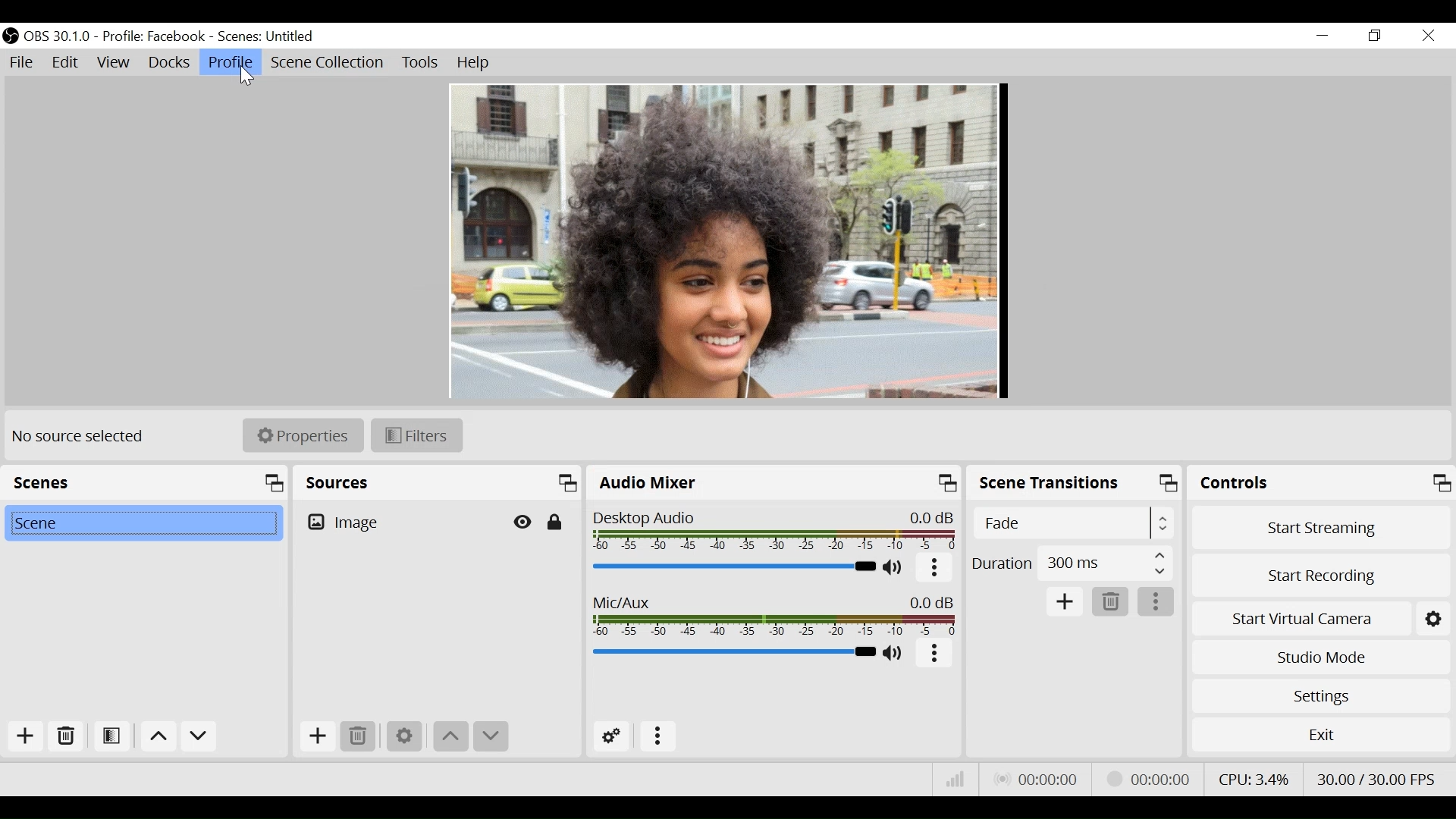  Describe the element at coordinates (11, 35) in the screenshot. I see `OBS Studio Desktop Icon` at that location.